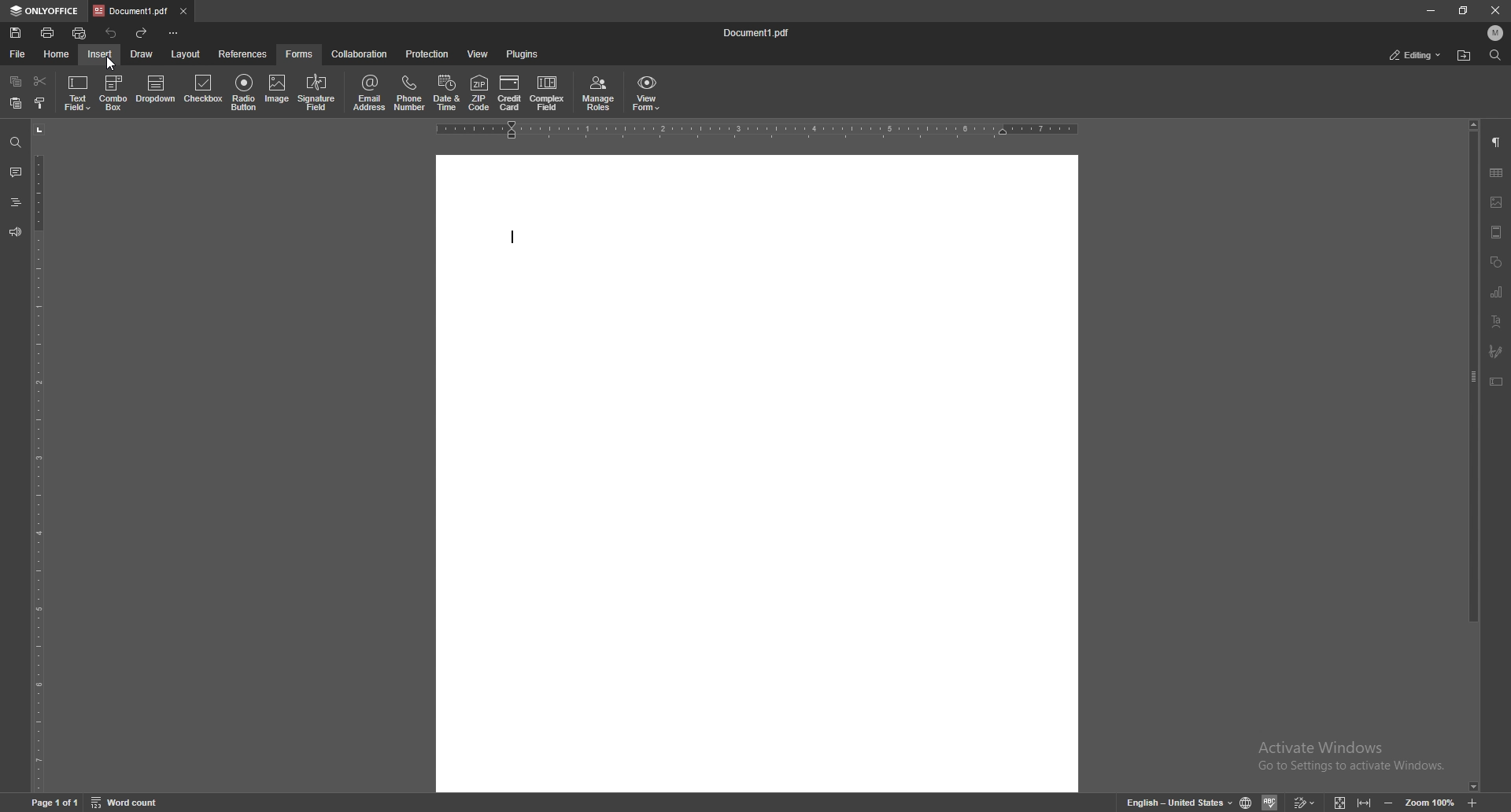 The width and height of the screenshot is (1511, 812). Describe the element at coordinates (548, 93) in the screenshot. I see `complex field` at that location.